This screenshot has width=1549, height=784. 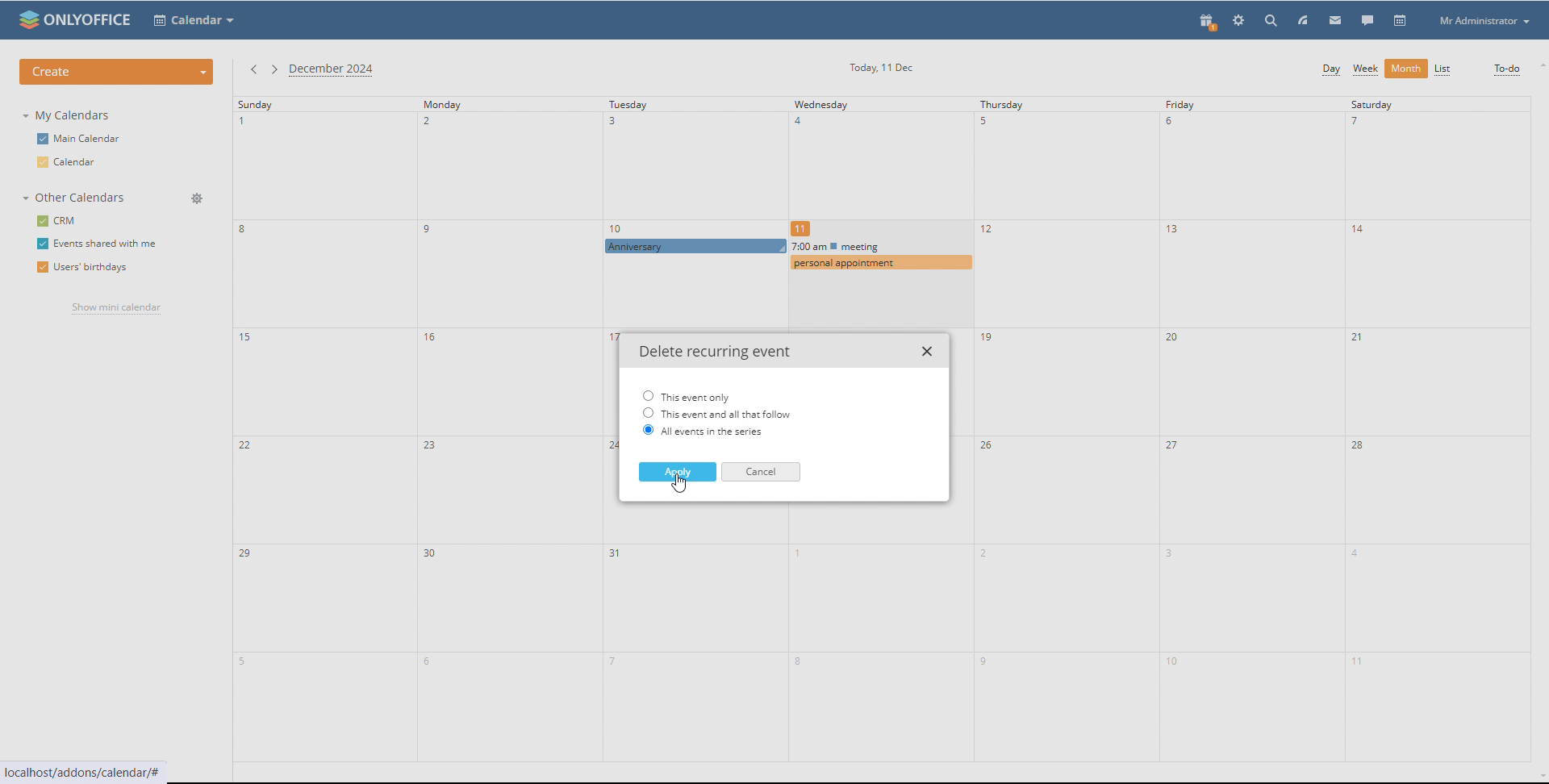 I want to click on Tuesday, so click(x=687, y=168).